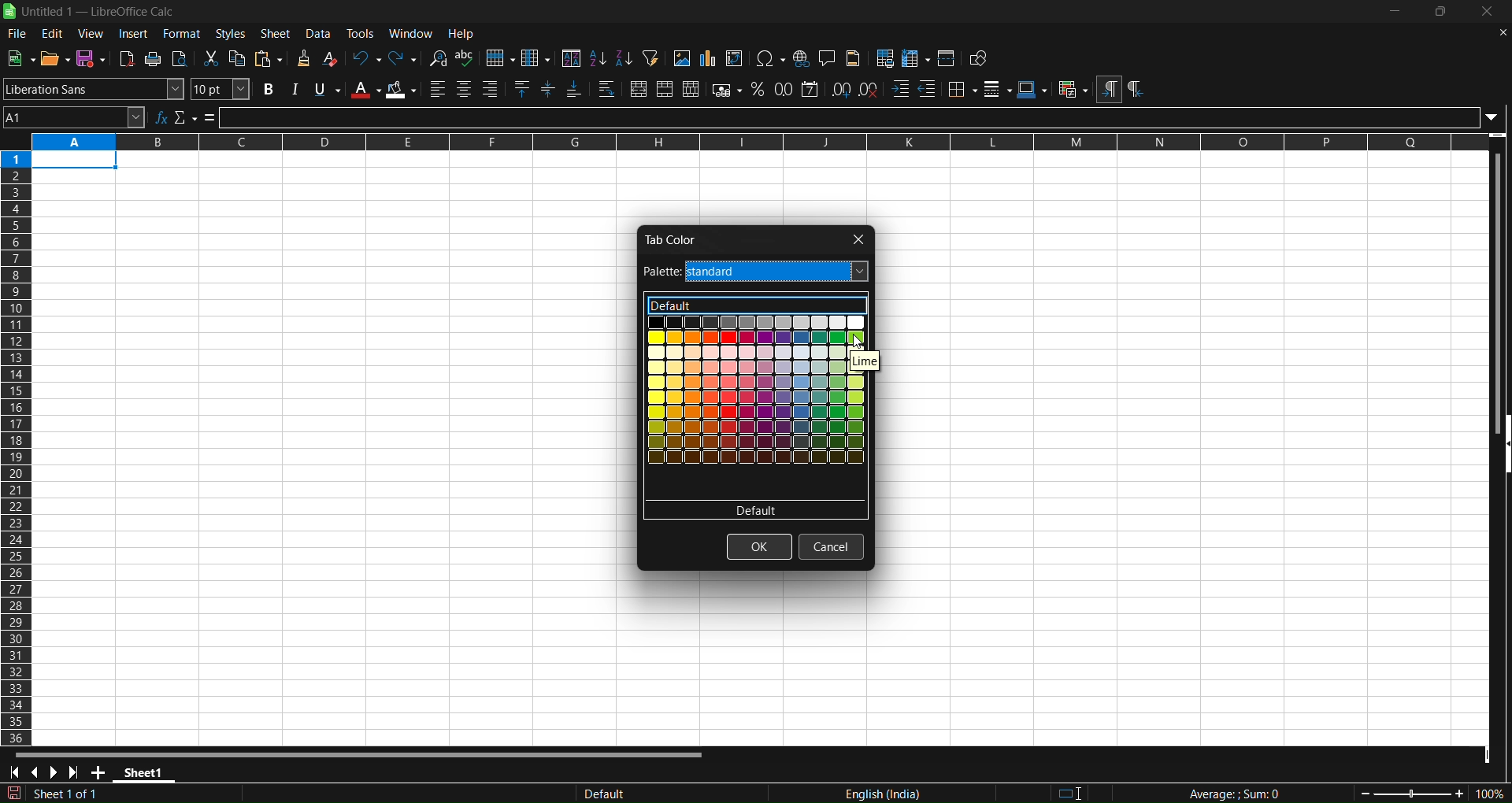 This screenshot has height=803, width=1512. Describe the element at coordinates (128, 58) in the screenshot. I see `export directly as pdf` at that location.